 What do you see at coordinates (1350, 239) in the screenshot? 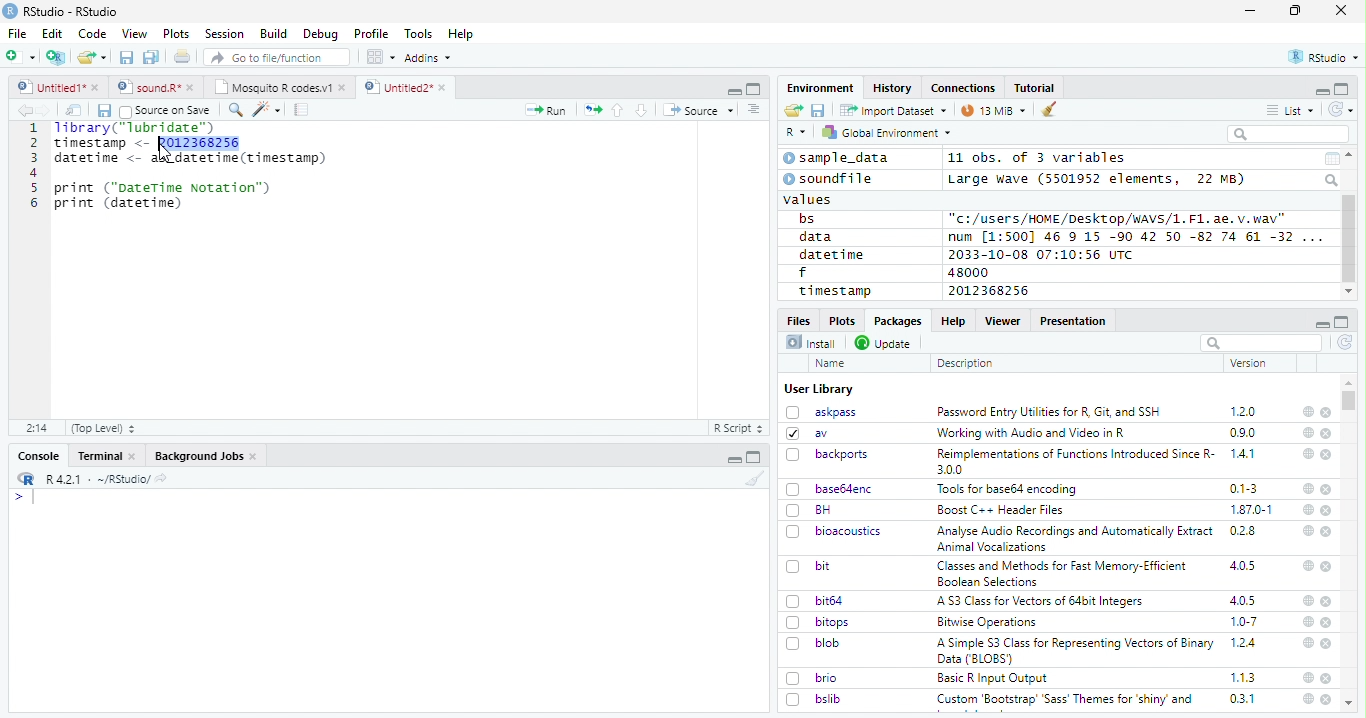
I see `Scroll bar` at bounding box center [1350, 239].